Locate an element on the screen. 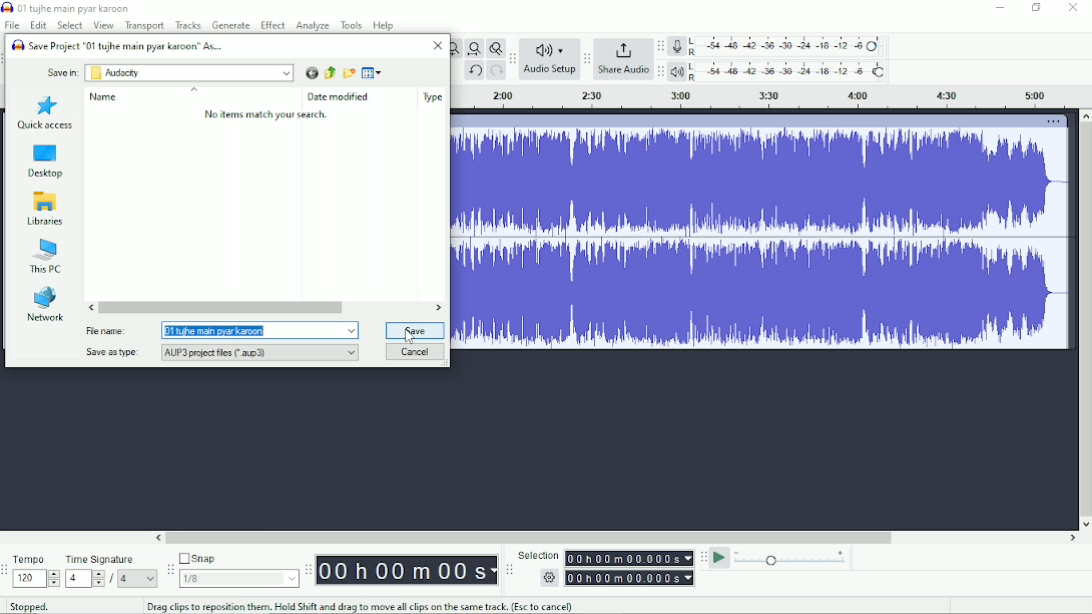 The image size is (1092, 614). Tools is located at coordinates (352, 25).